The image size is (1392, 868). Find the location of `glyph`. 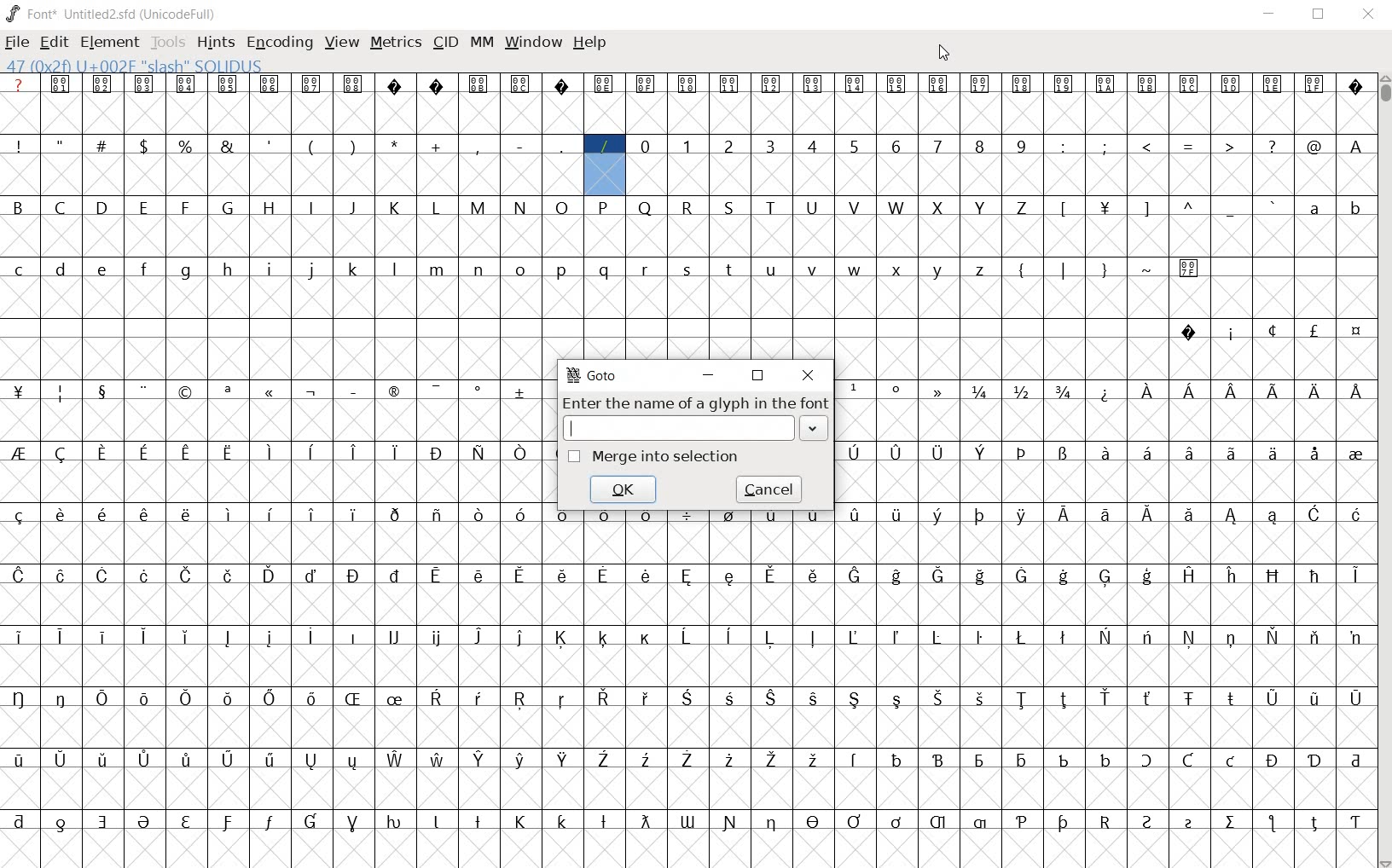

glyph is located at coordinates (937, 146).